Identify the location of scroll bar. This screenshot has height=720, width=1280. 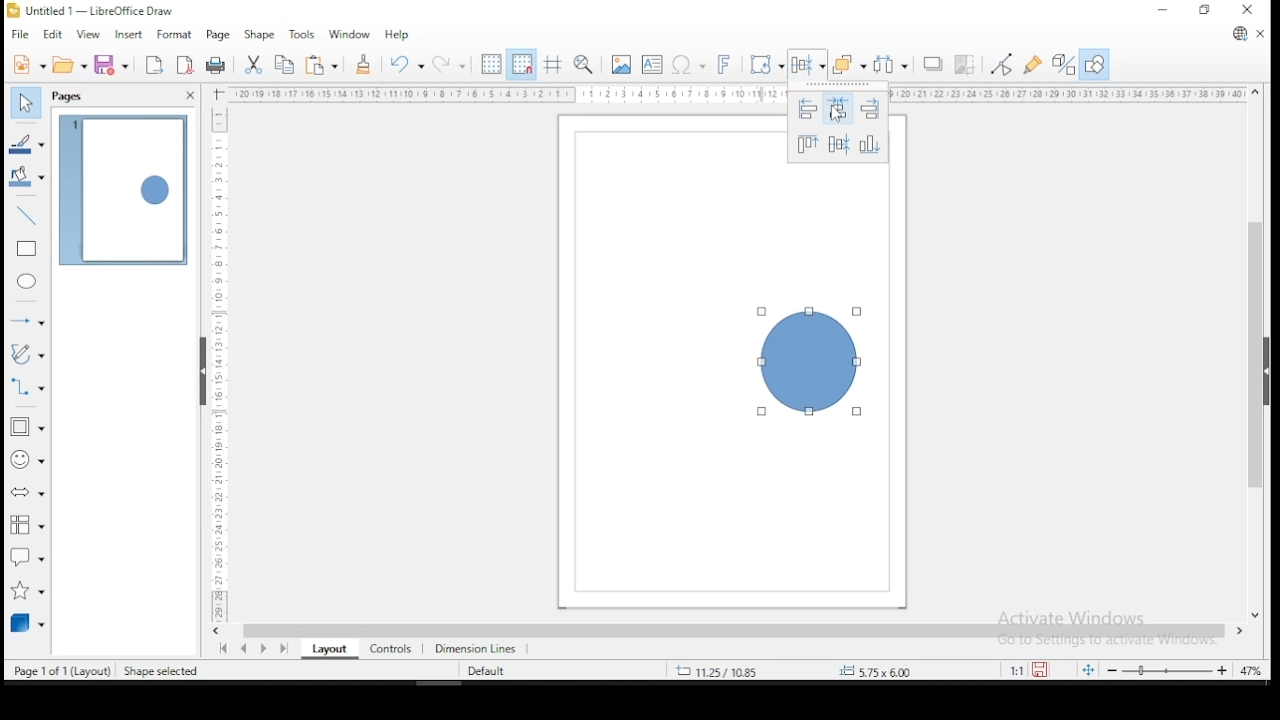
(733, 630).